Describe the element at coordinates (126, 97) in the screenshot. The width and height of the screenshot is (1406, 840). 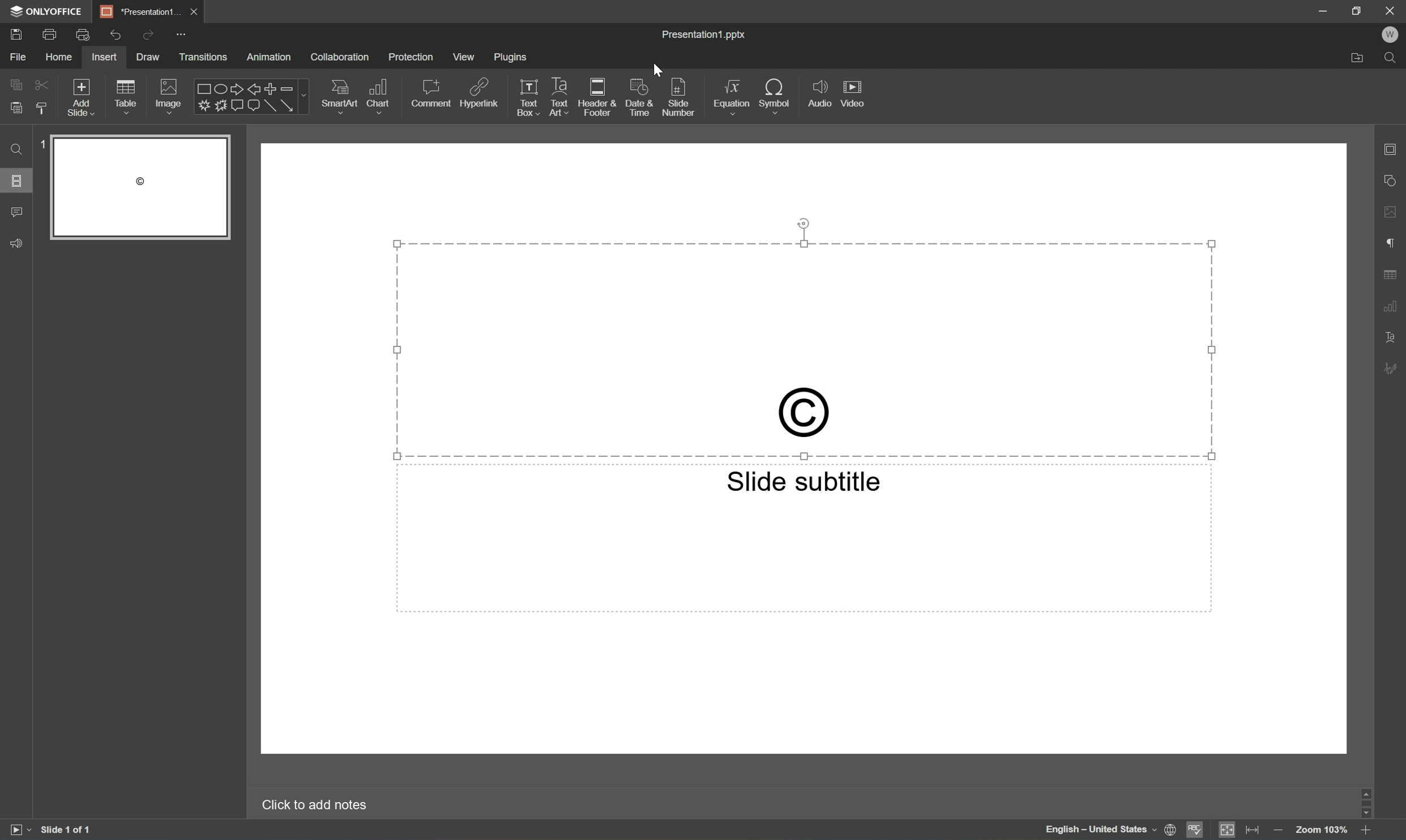
I see `Table` at that location.